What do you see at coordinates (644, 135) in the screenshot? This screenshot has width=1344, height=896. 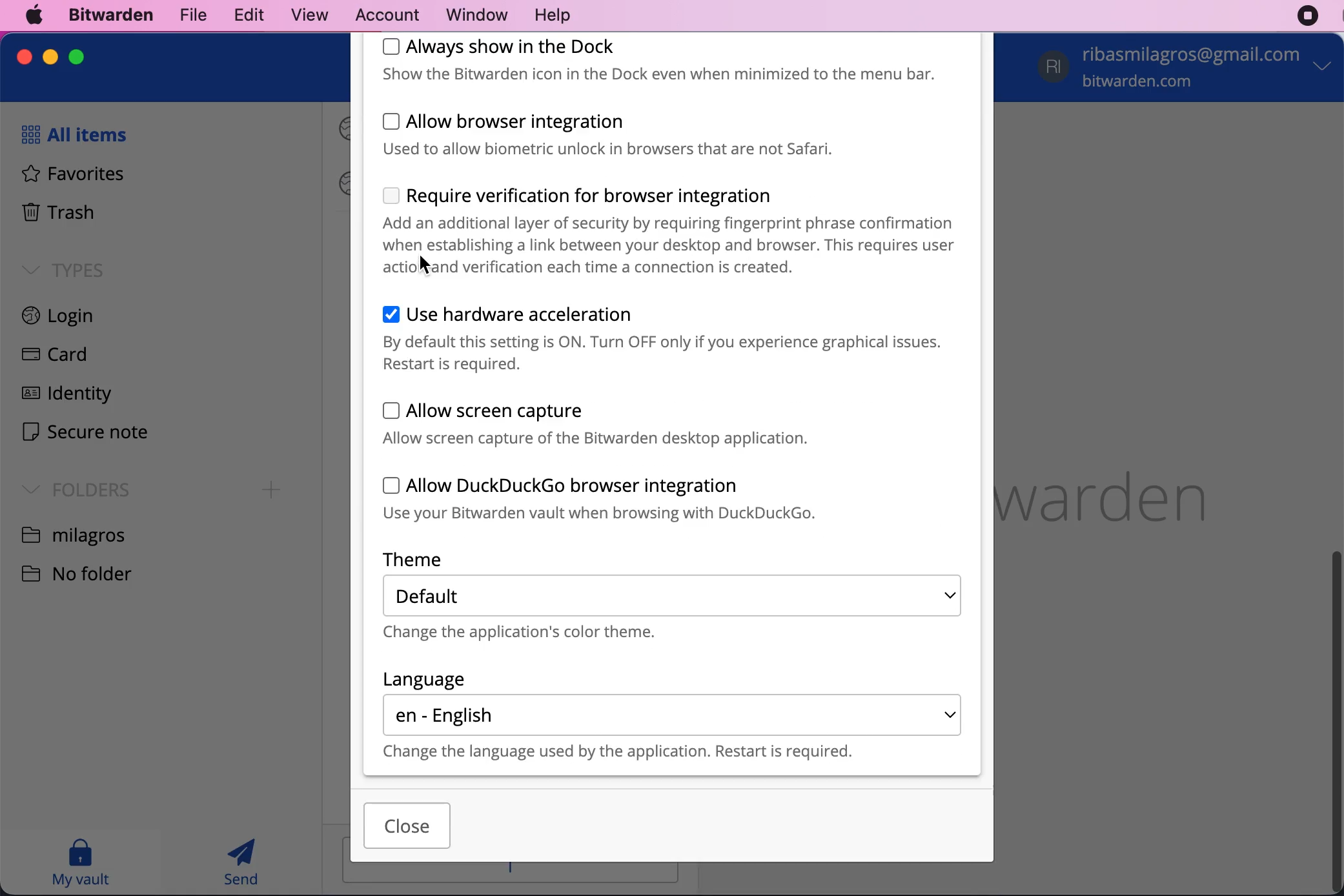 I see `allow browser integration` at bounding box center [644, 135].